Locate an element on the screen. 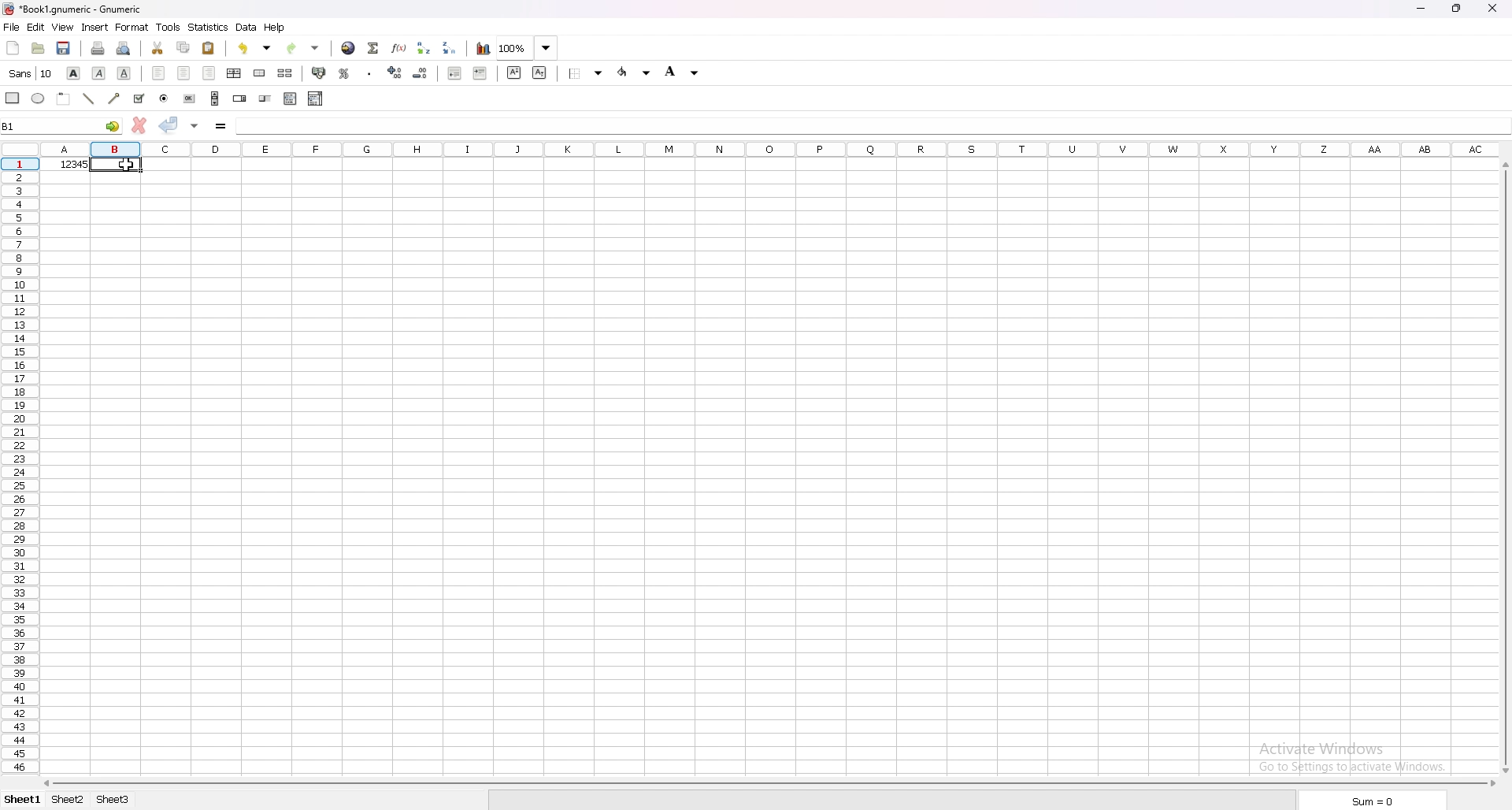  superscript is located at coordinates (514, 72).